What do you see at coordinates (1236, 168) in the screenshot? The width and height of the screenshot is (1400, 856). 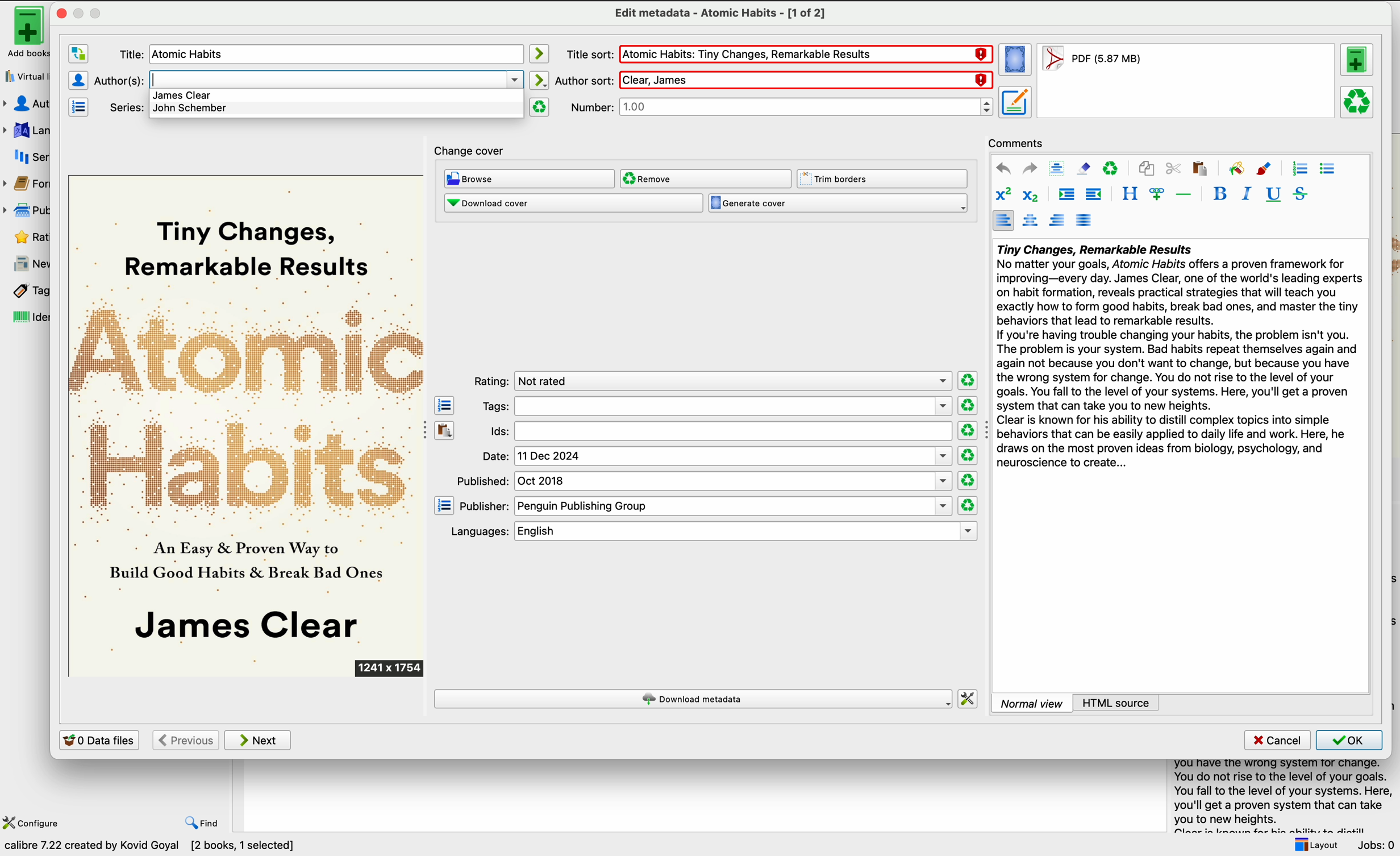 I see `background color` at bounding box center [1236, 168].